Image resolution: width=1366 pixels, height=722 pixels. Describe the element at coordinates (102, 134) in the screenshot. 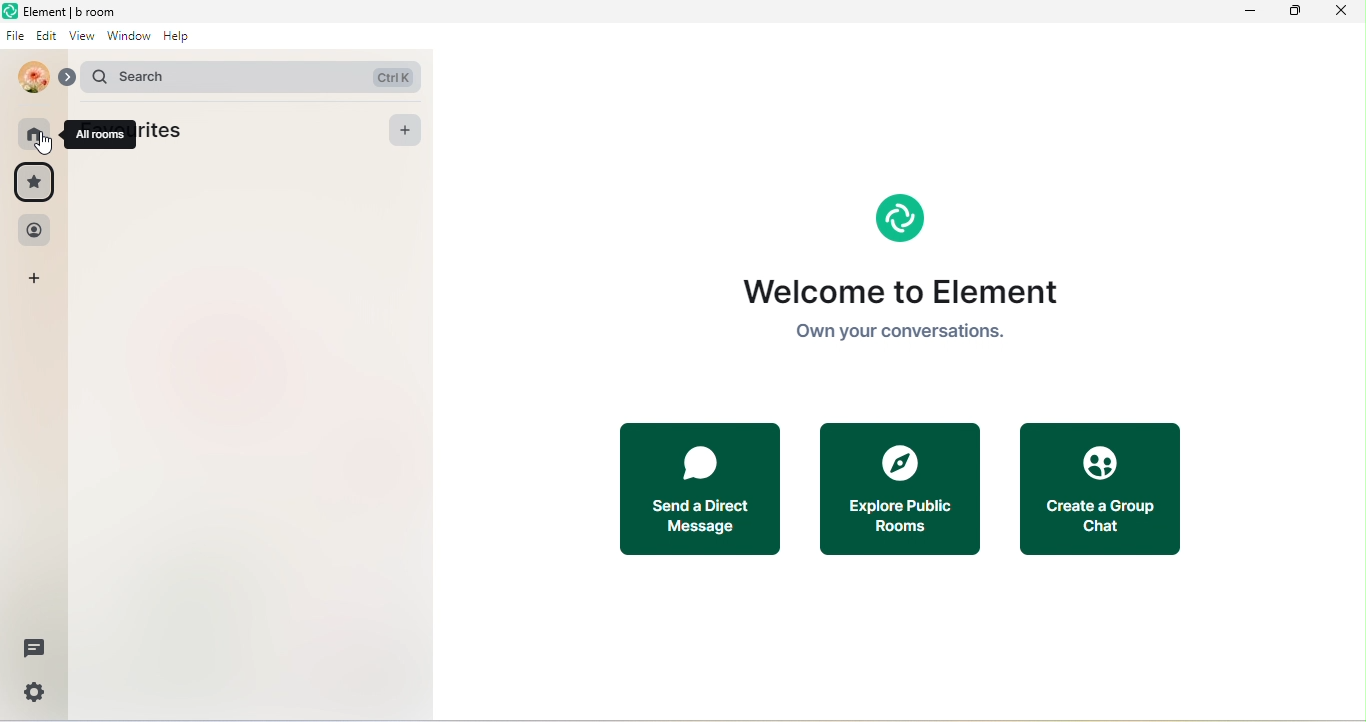

I see `all rooms` at that location.